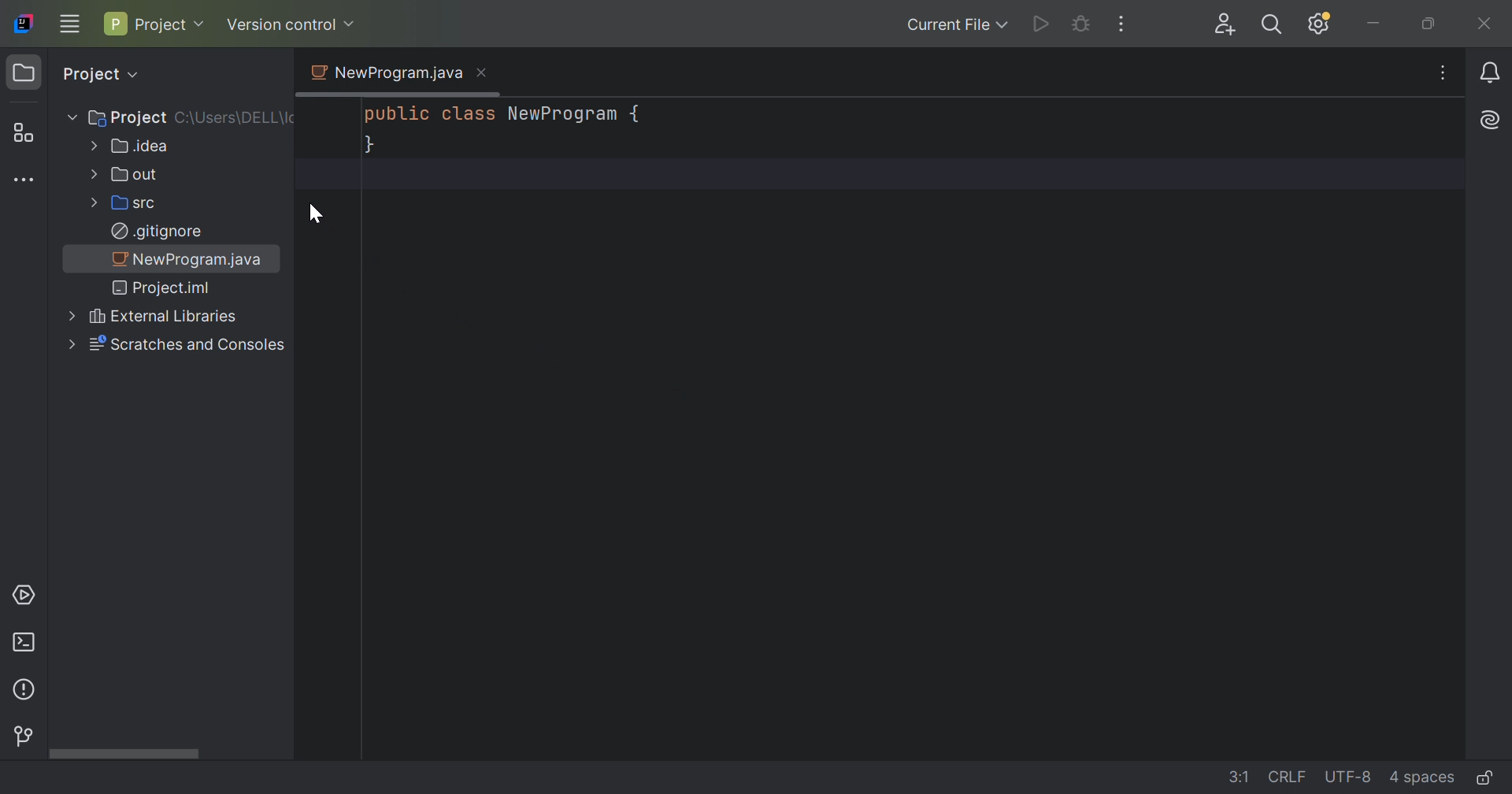 This screenshot has height=794, width=1512. What do you see at coordinates (369, 147) in the screenshot?
I see `}` at bounding box center [369, 147].